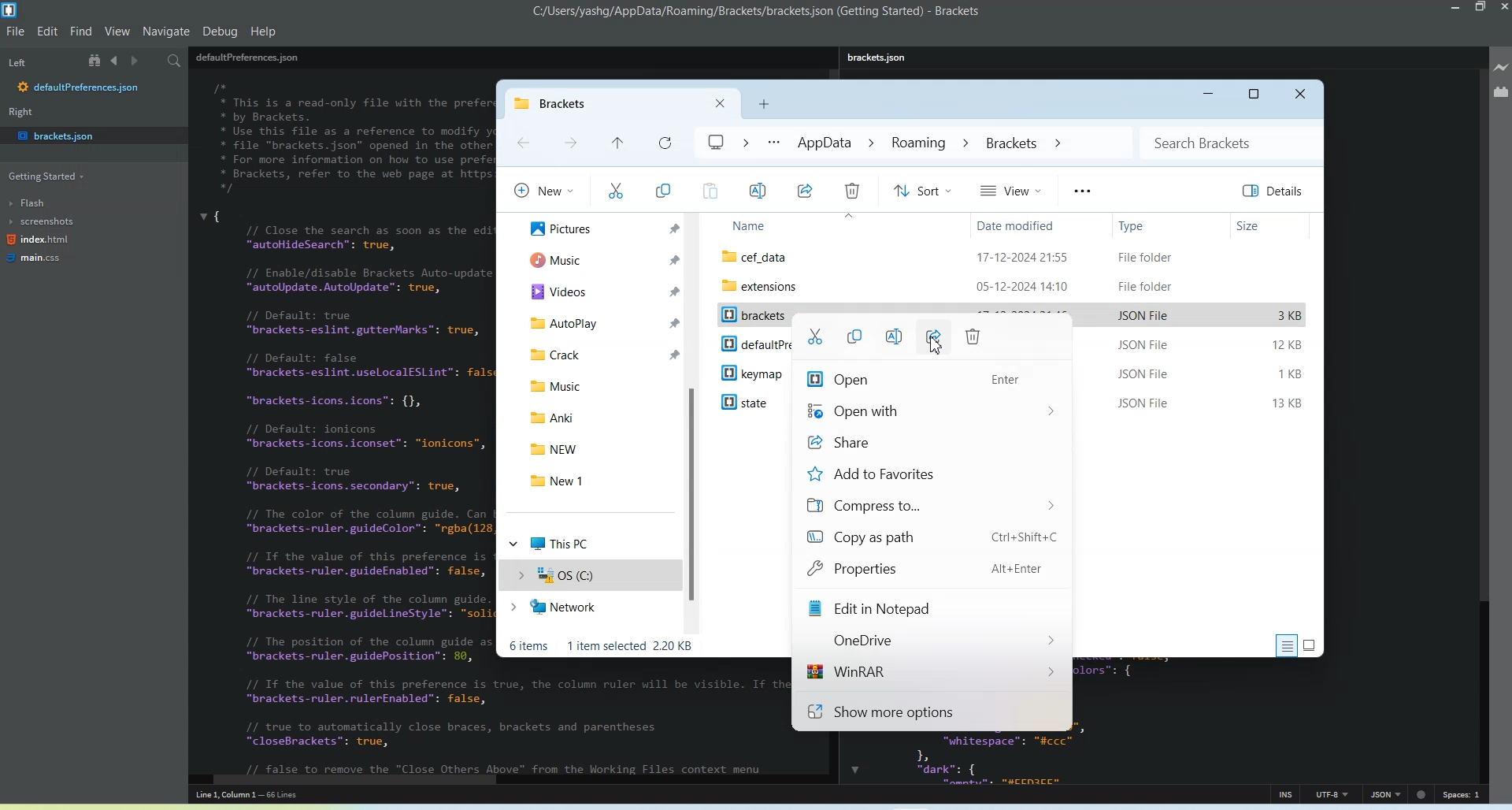 This screenshot has height=810, width=1512. What do you see at coordinates (931, 712) in the screenshot?
I see `Show more Options` at bounding box center [931, 712].